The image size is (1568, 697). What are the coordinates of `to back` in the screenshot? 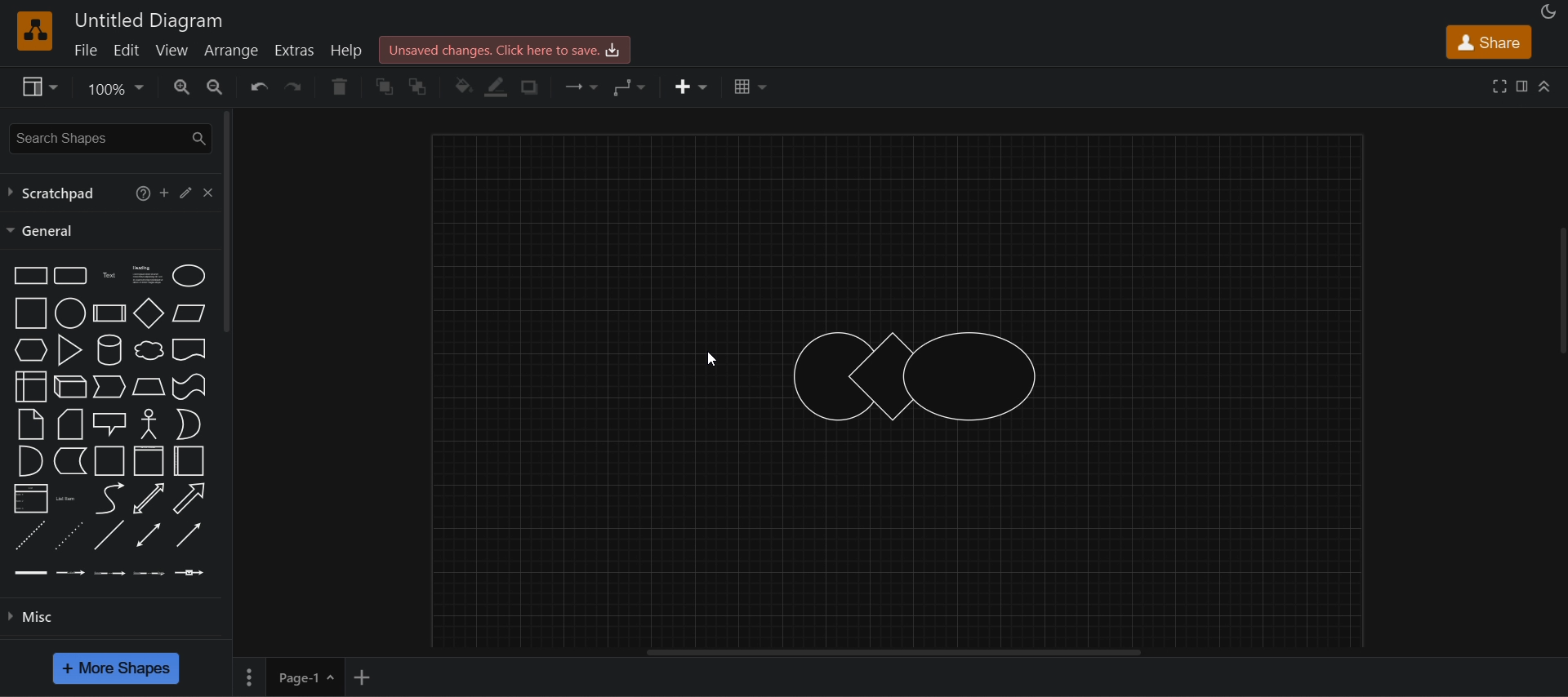 It's located at (419, 87).